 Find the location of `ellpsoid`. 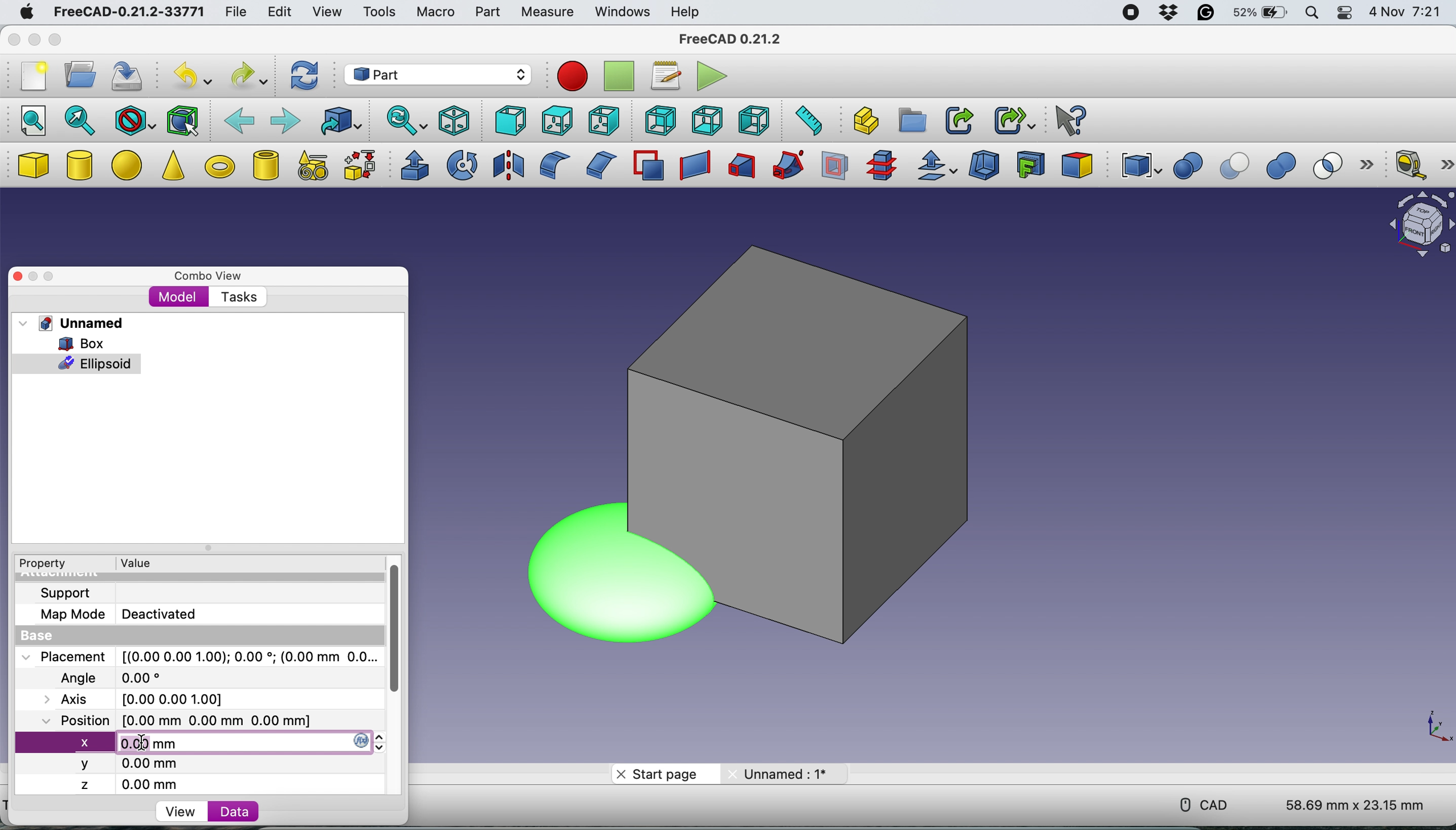

ellpsoid is located at coordinates (78, 363).